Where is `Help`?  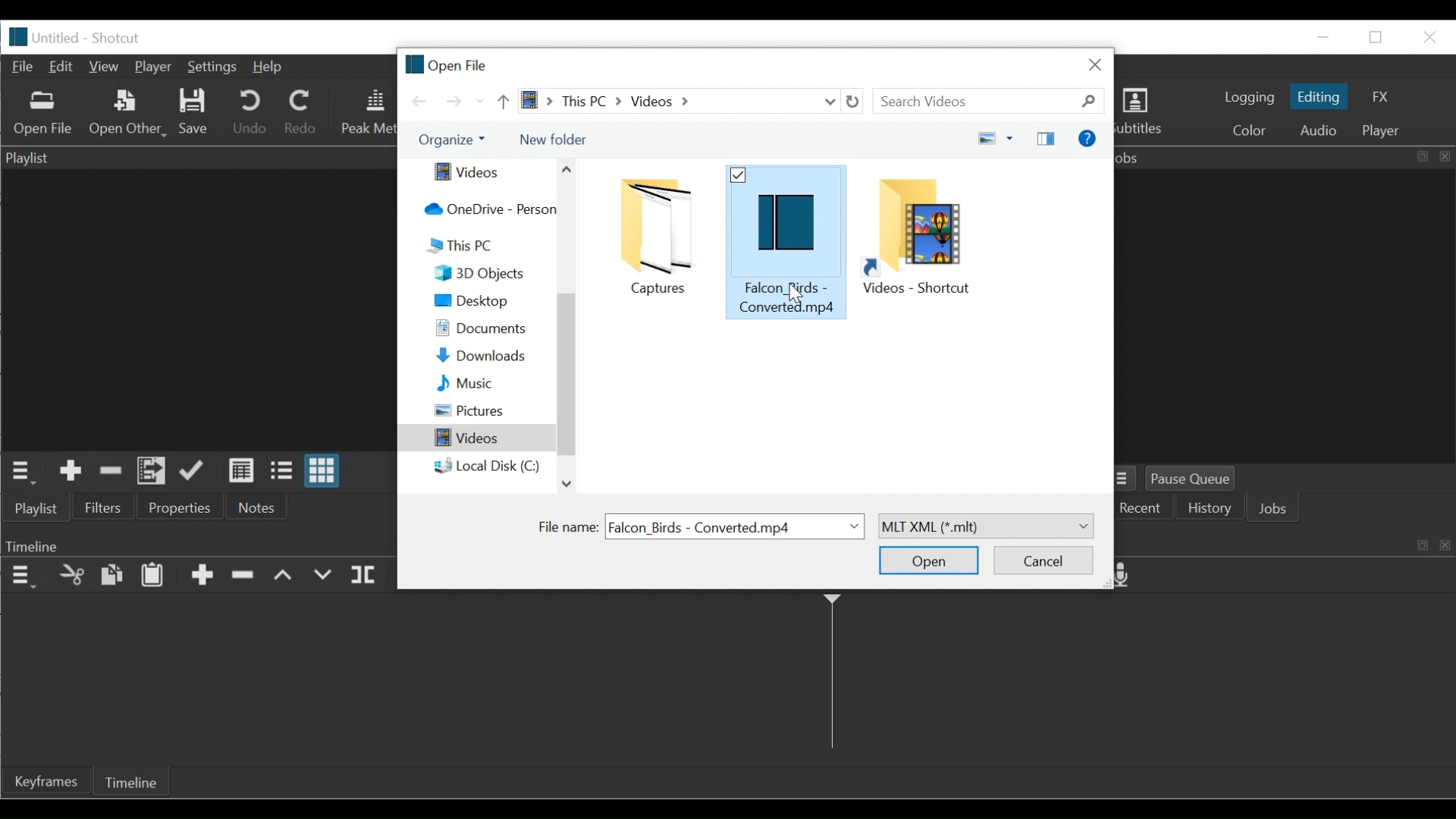
Help is located at coordinates (267, 68).